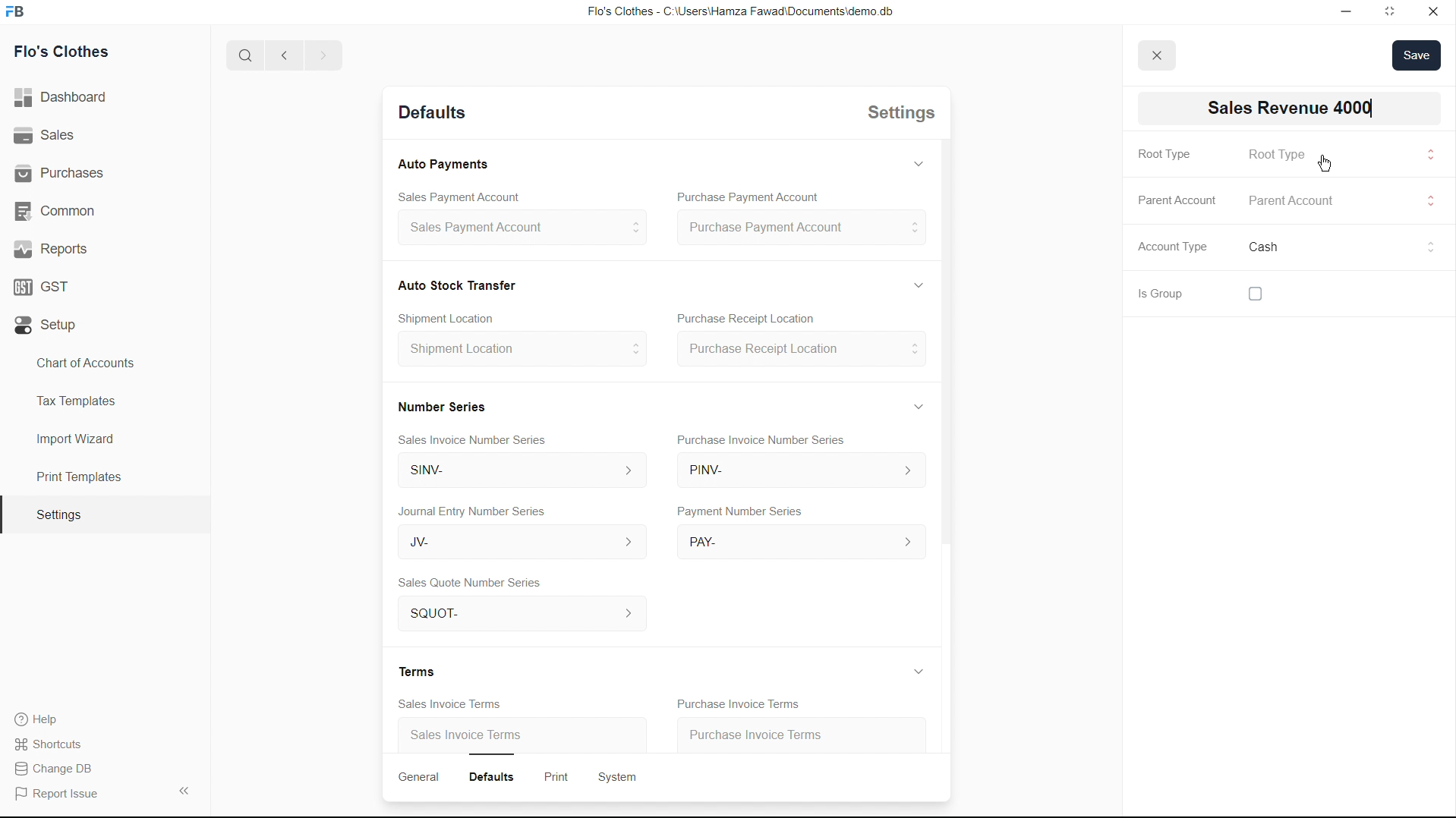 This screenshot has height=818, width=1456. What do you see at coordinates (470, 584) in the screenshot?
I see `Sales Quote Number Series` at bounding box center [470, 584].